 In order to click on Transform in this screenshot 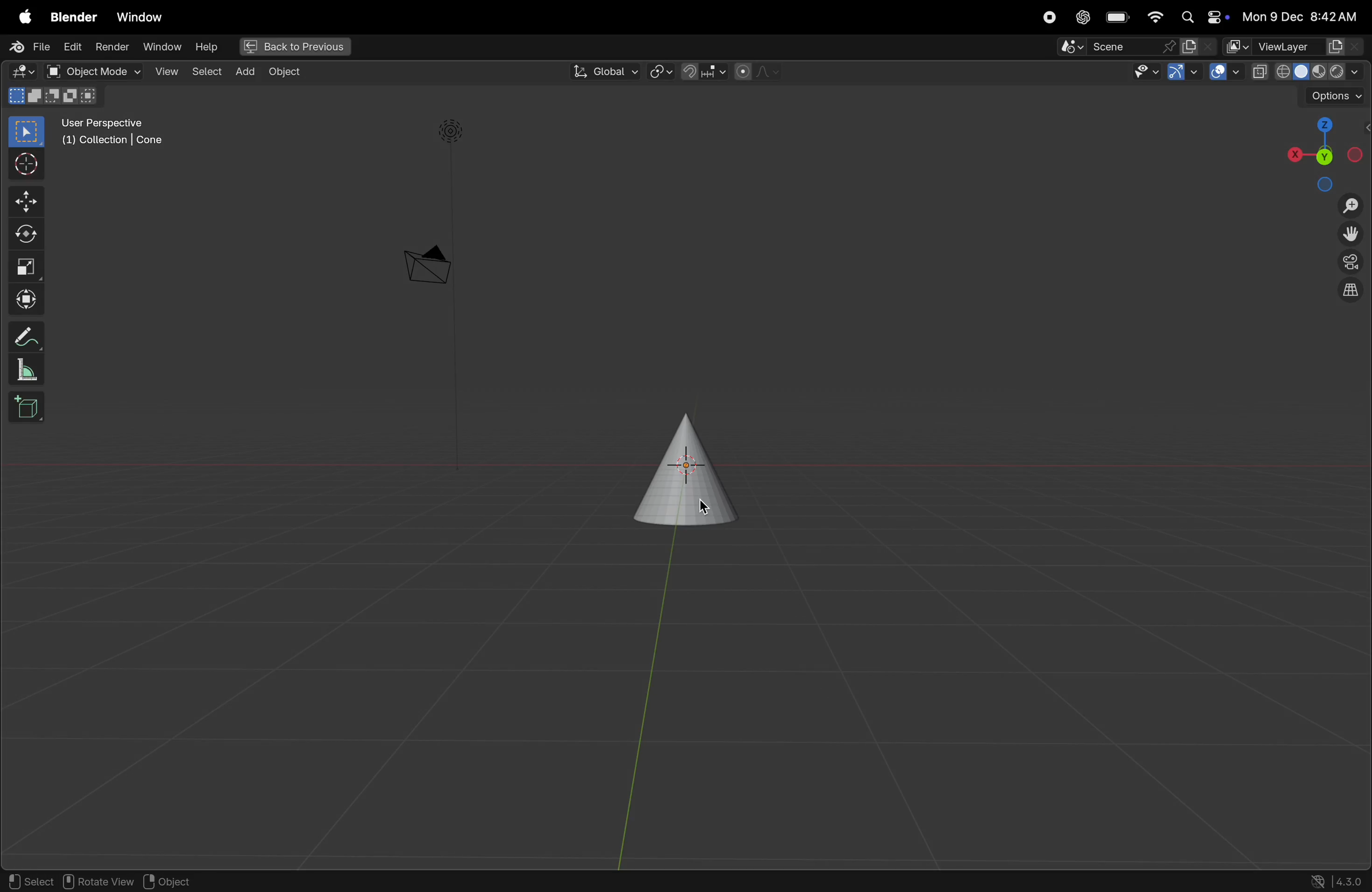, I will do `click(25, 298)`.